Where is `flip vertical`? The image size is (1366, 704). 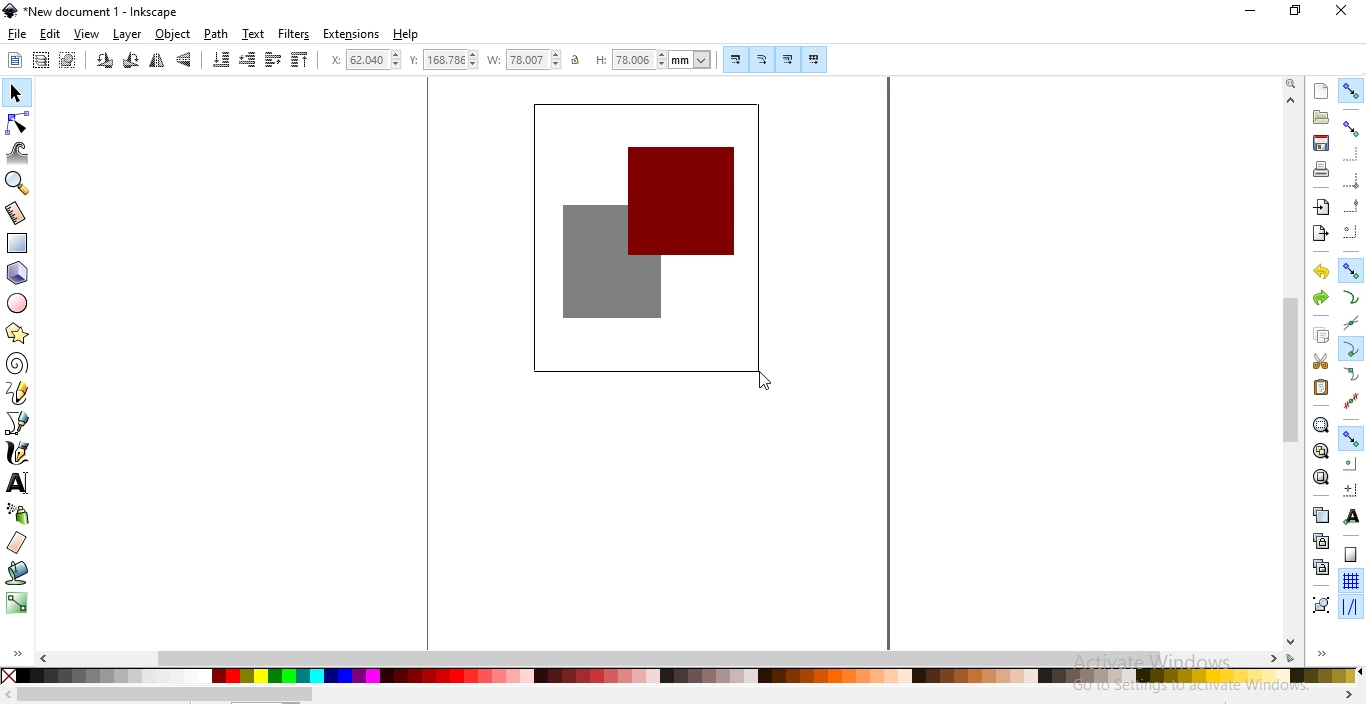
flip vertical is located at coordinates (186, 60).